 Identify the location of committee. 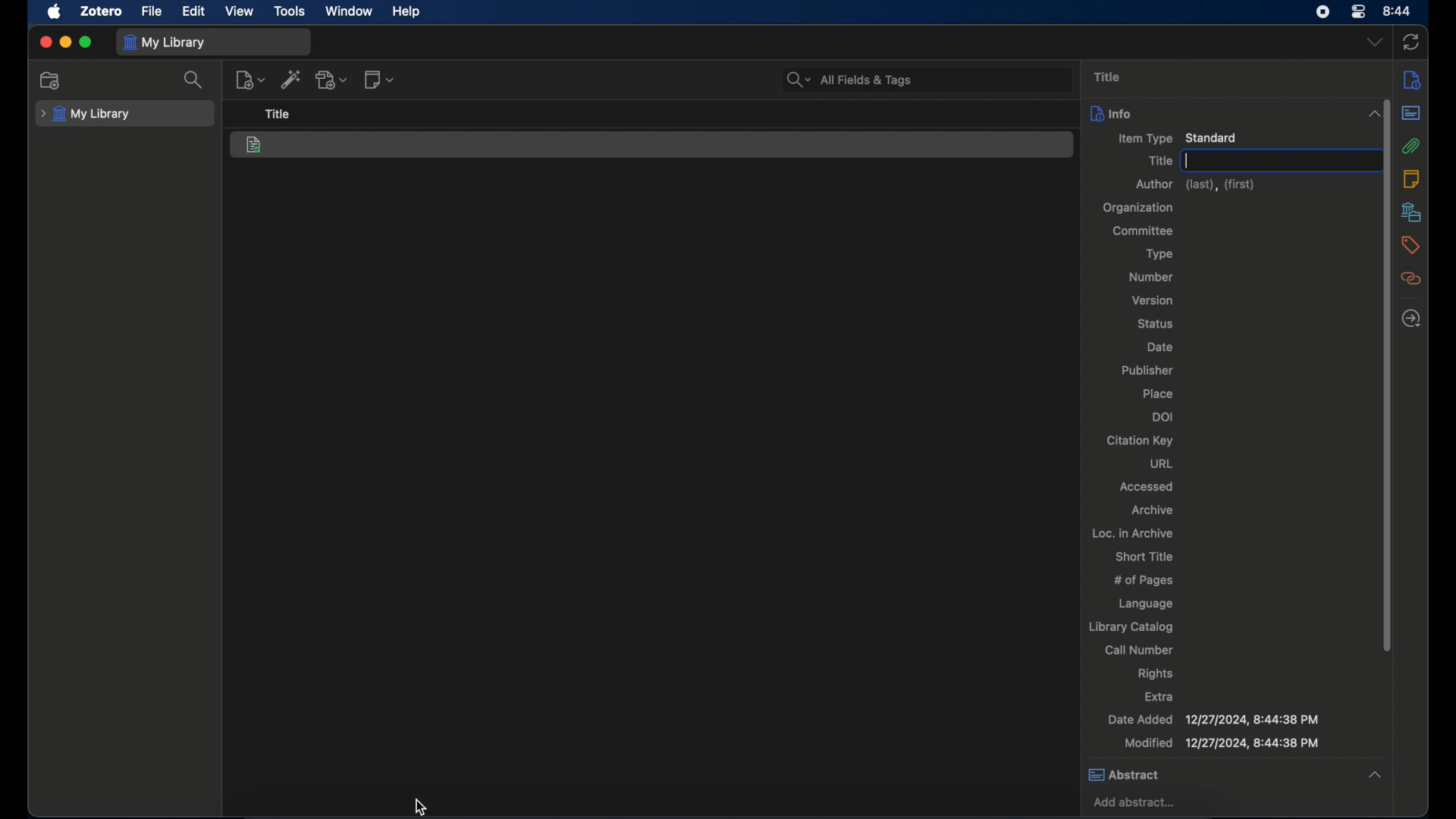
(1147, 231).